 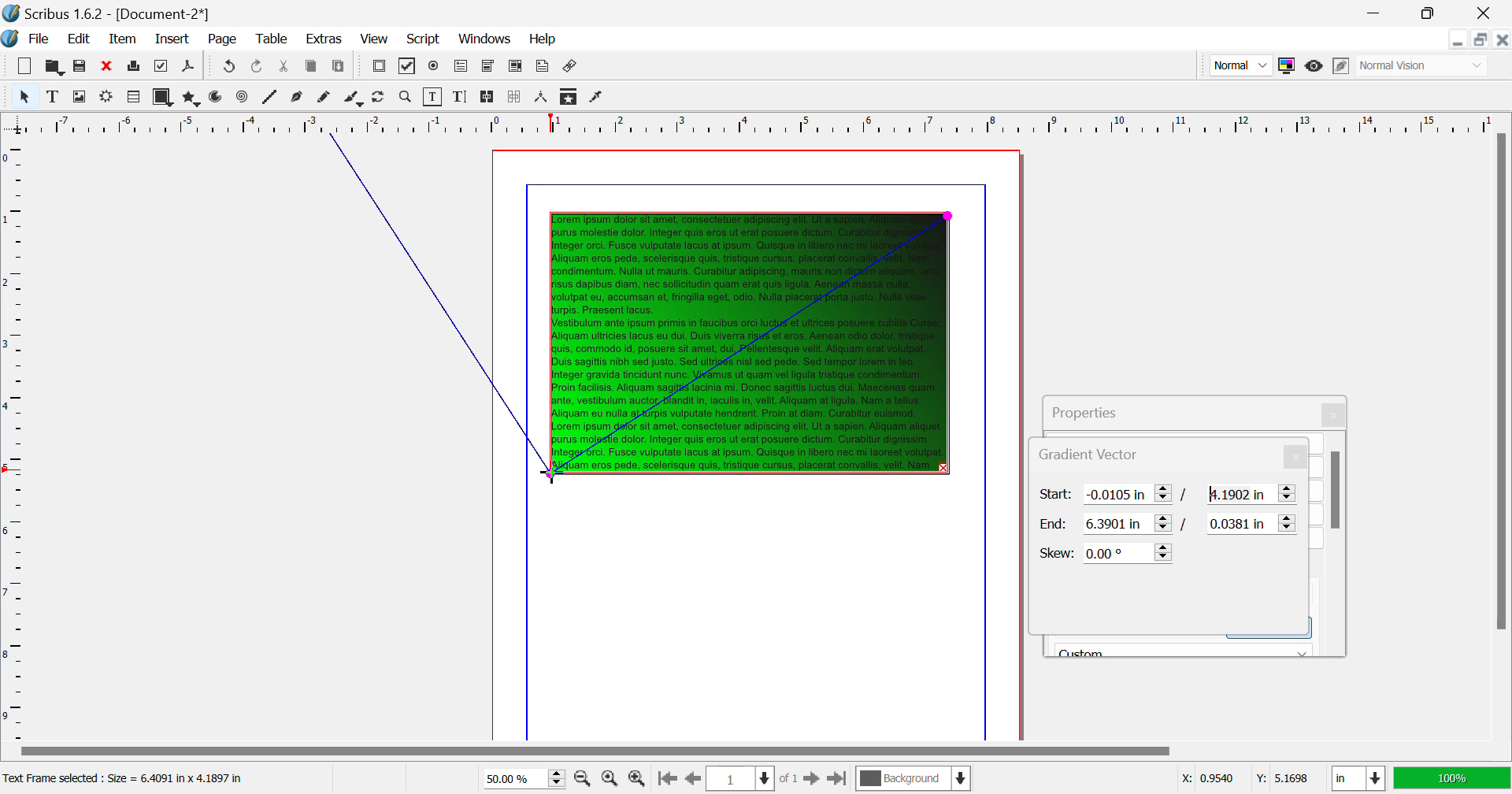 I want to click on Freehand, so click(x=326, y=98).